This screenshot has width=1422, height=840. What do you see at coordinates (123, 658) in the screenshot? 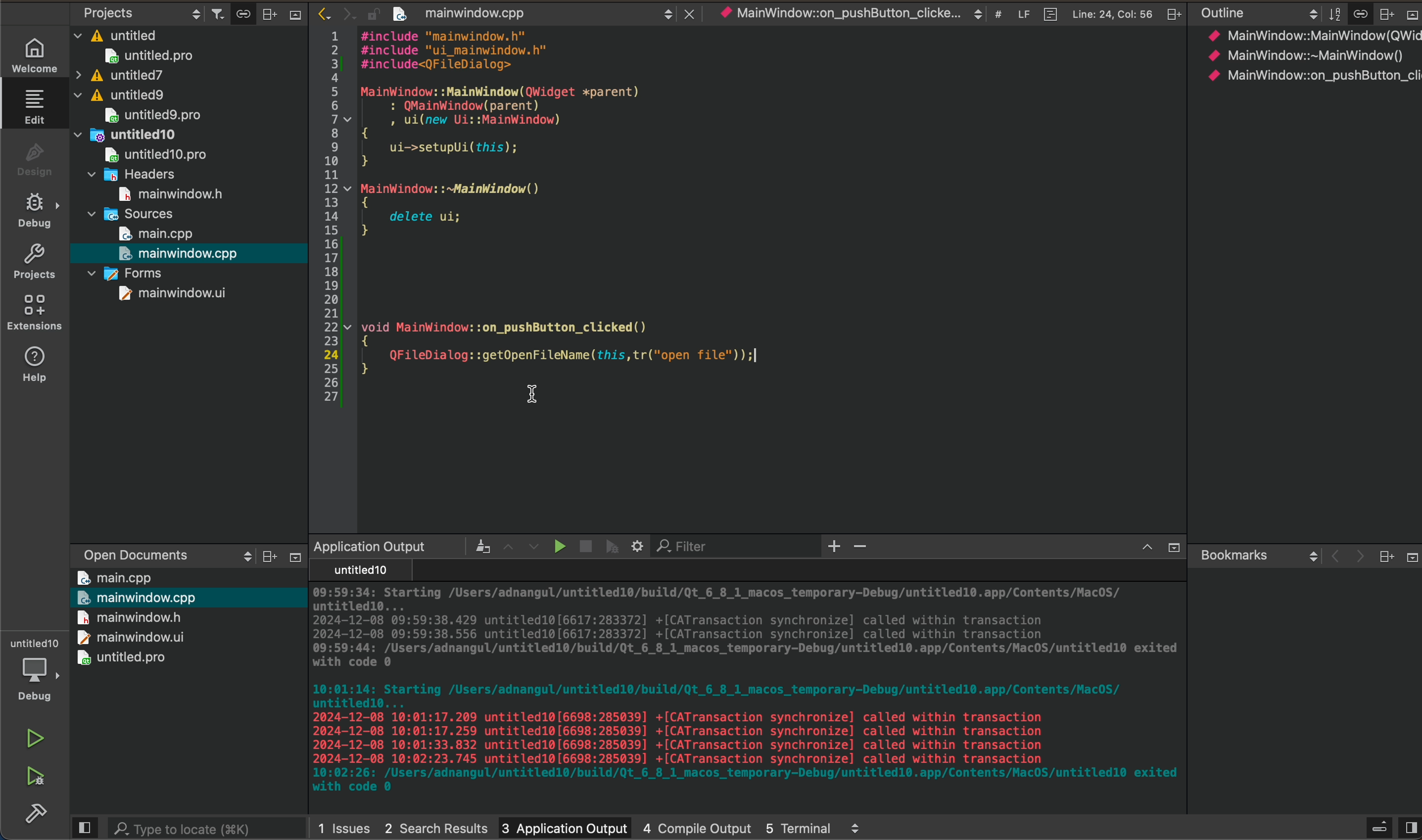
I see `untitled.pro` at bounding box center [123, 658].